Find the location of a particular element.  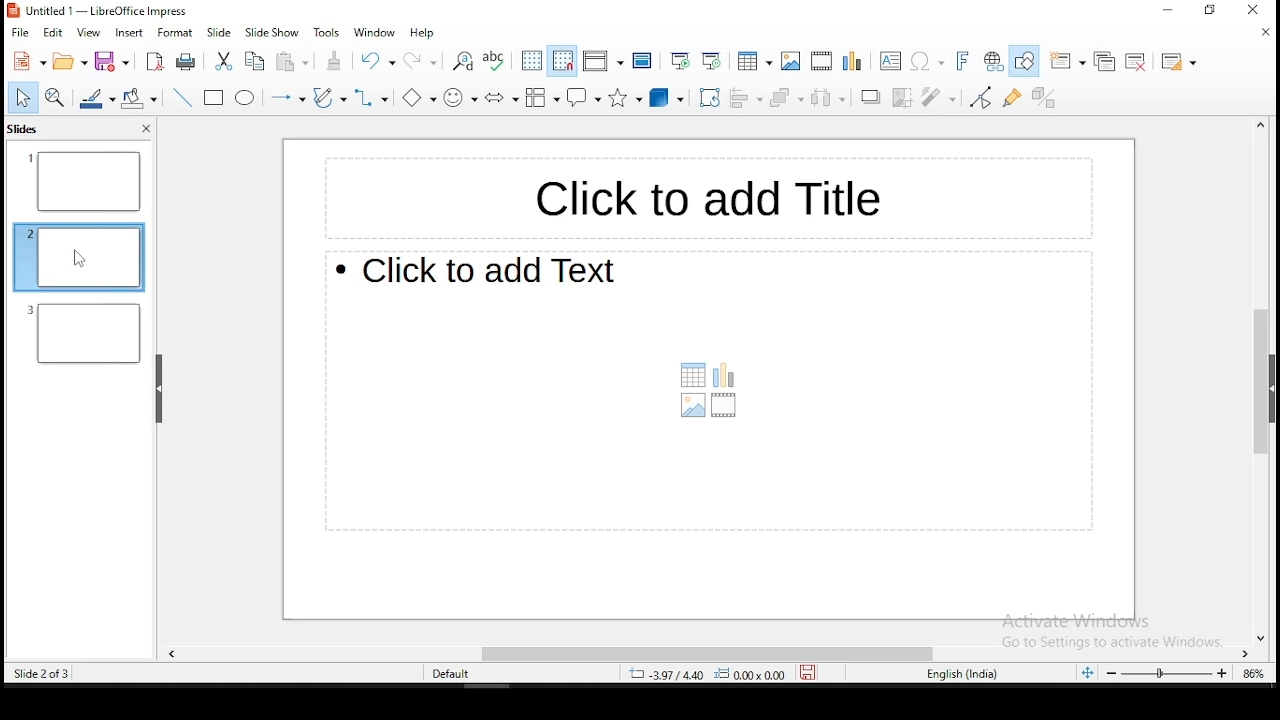

slide 2 is located at coordinates (85, 333).